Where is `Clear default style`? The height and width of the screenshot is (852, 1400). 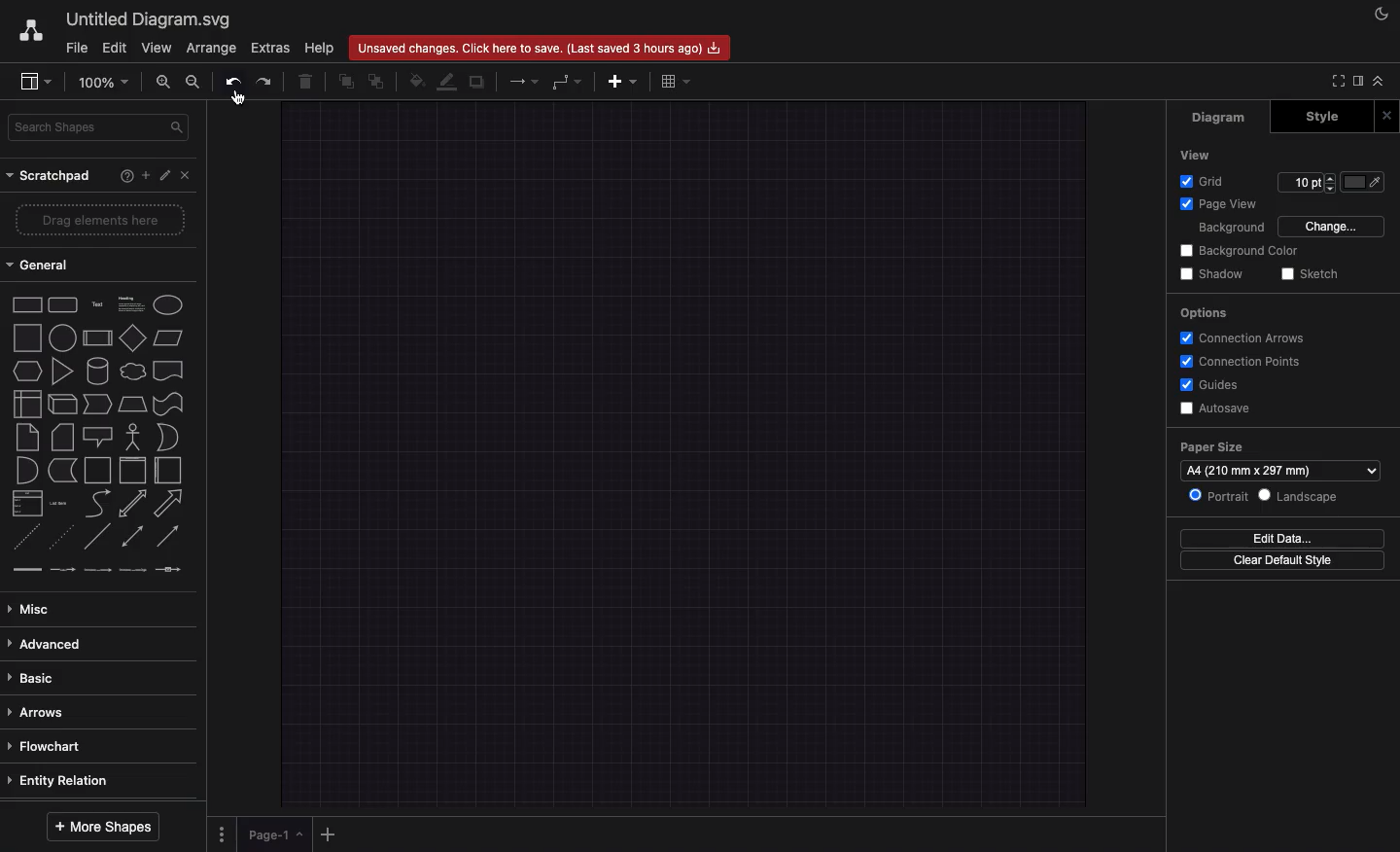
Clear default style is located at coordinates (1284, 560).